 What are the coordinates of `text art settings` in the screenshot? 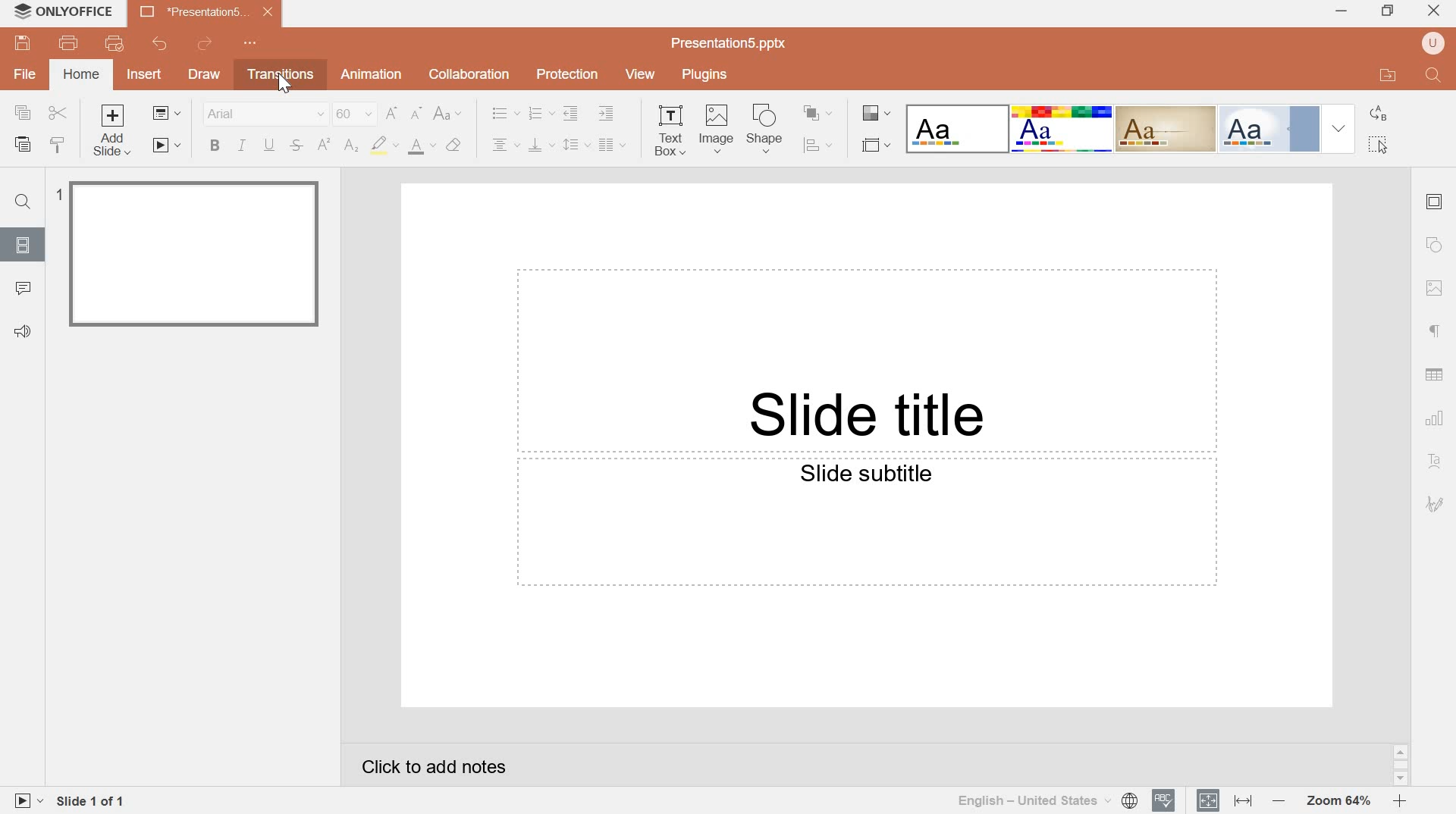 It's located at (1436, 461).